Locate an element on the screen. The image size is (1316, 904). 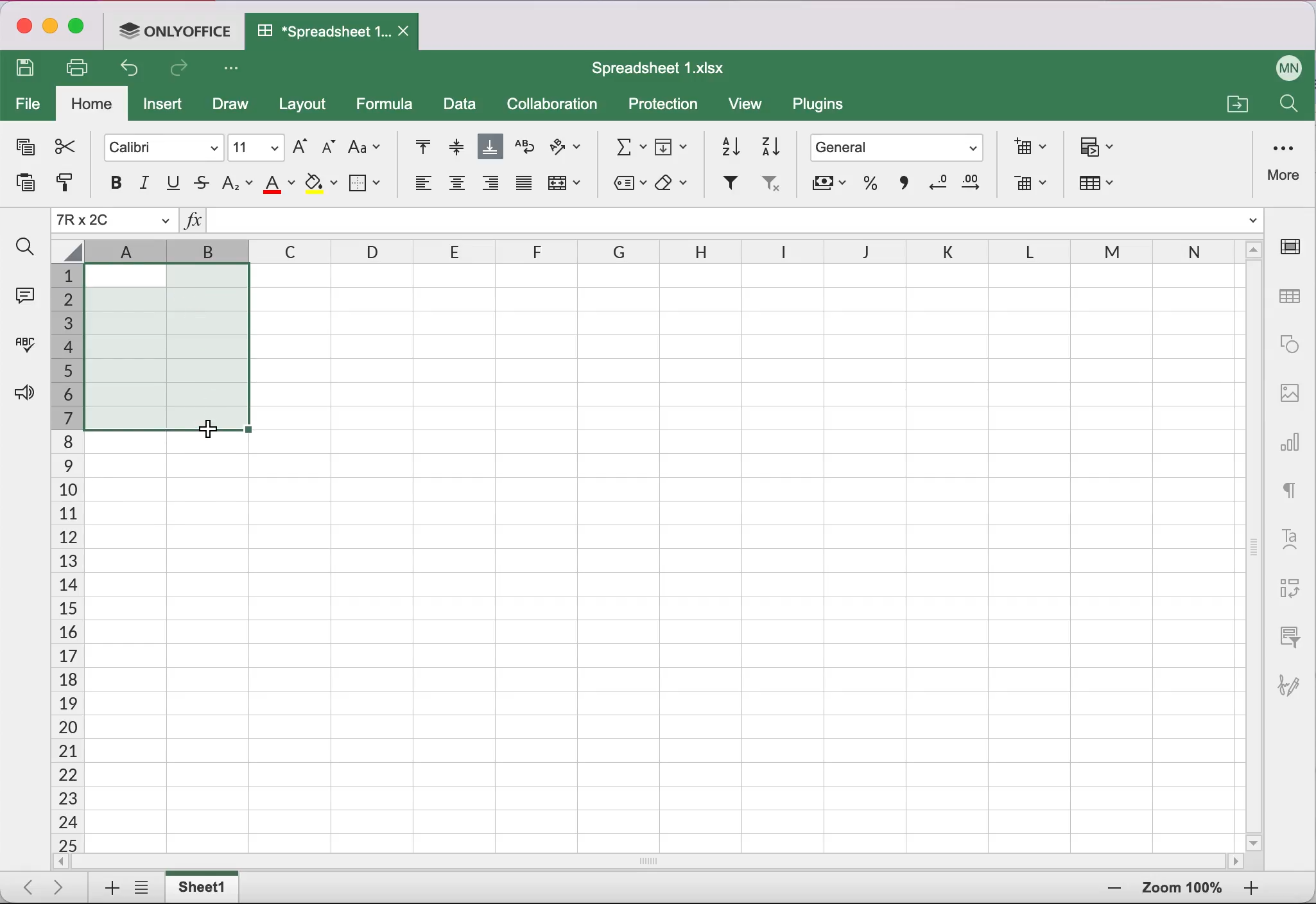
italic is located at coordinates (146, 183).